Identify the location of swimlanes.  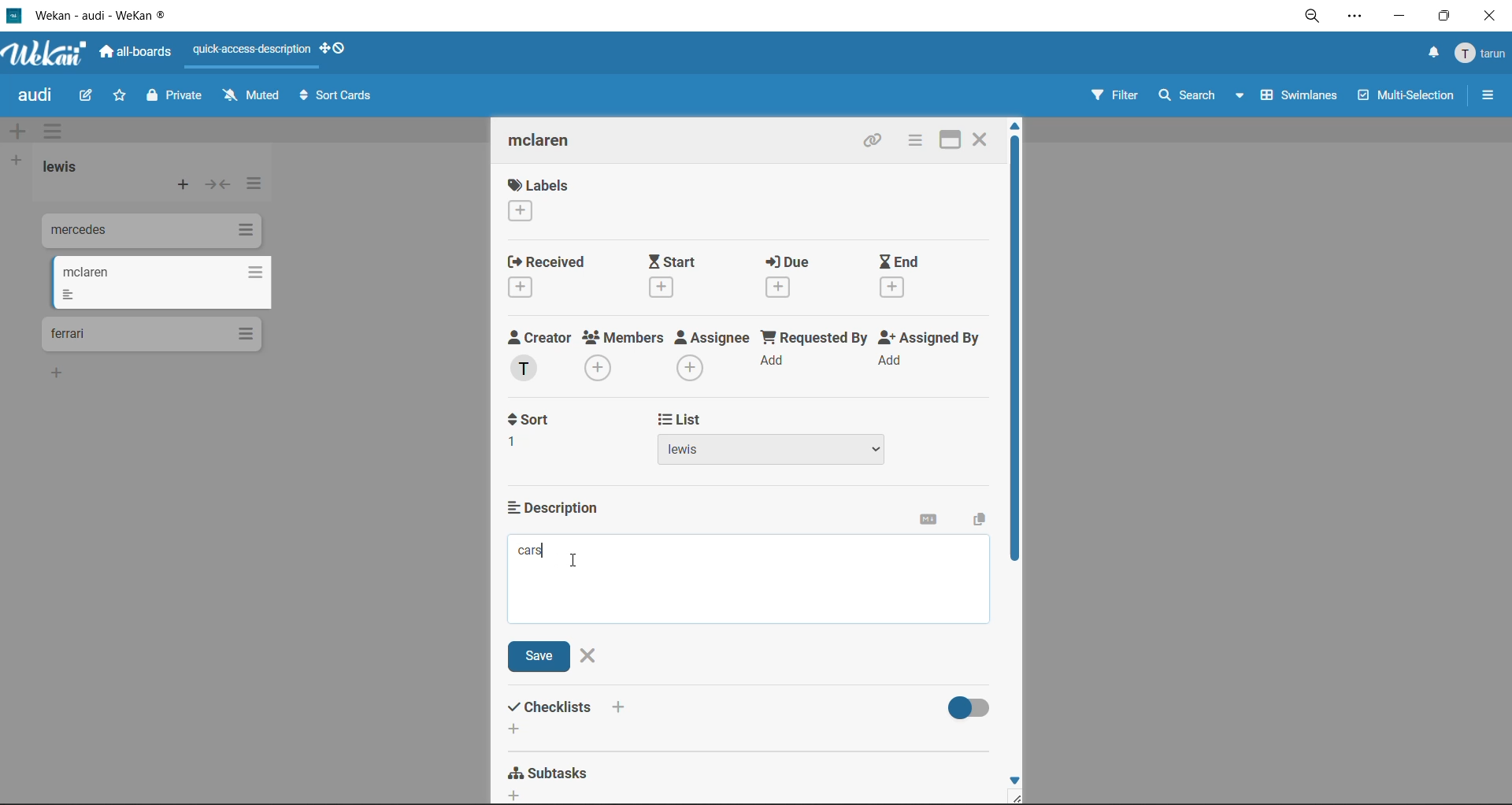
(1294, 99).